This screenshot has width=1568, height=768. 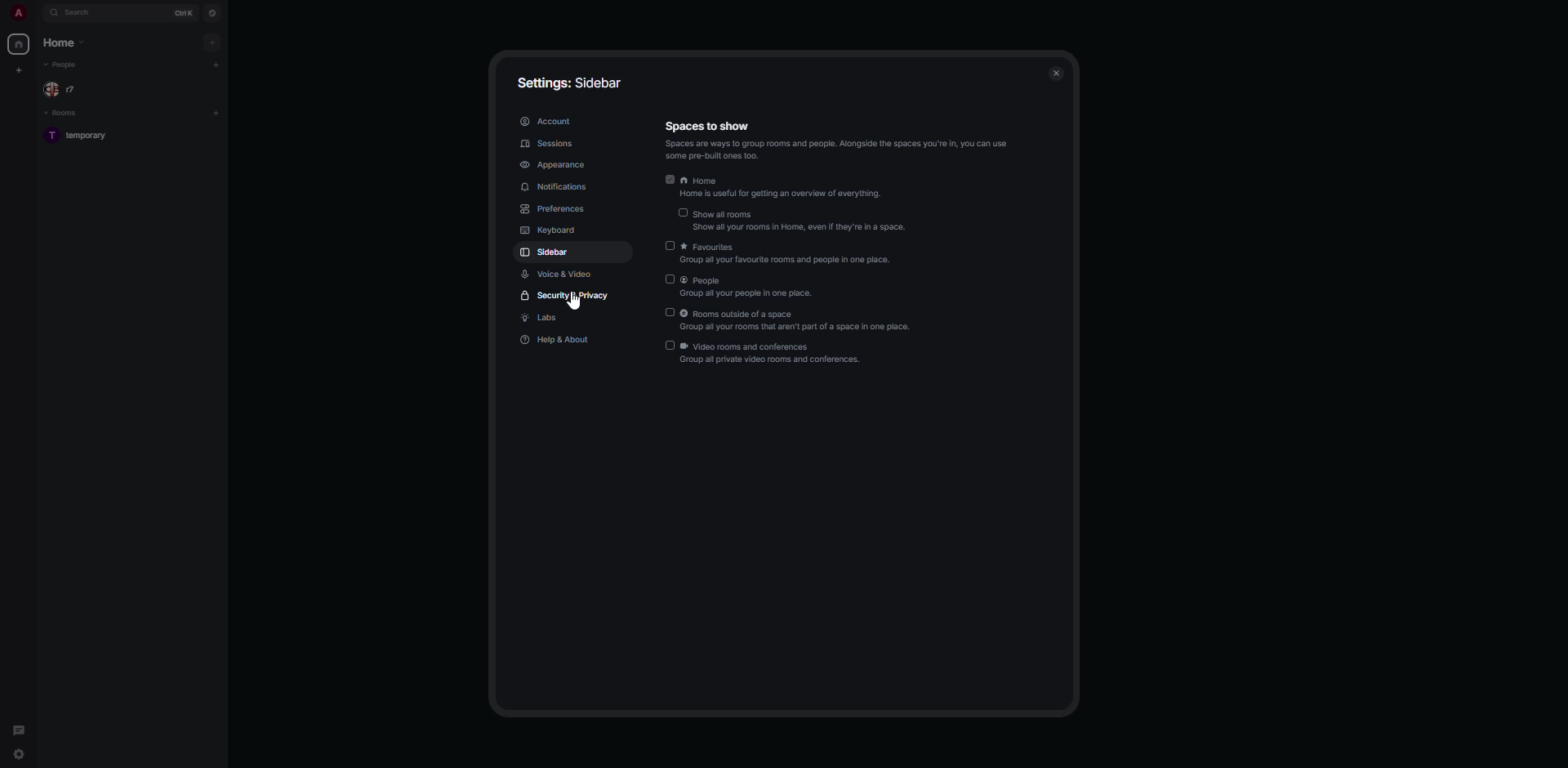 I want to click on quick settings, so click(x=17, y=757).